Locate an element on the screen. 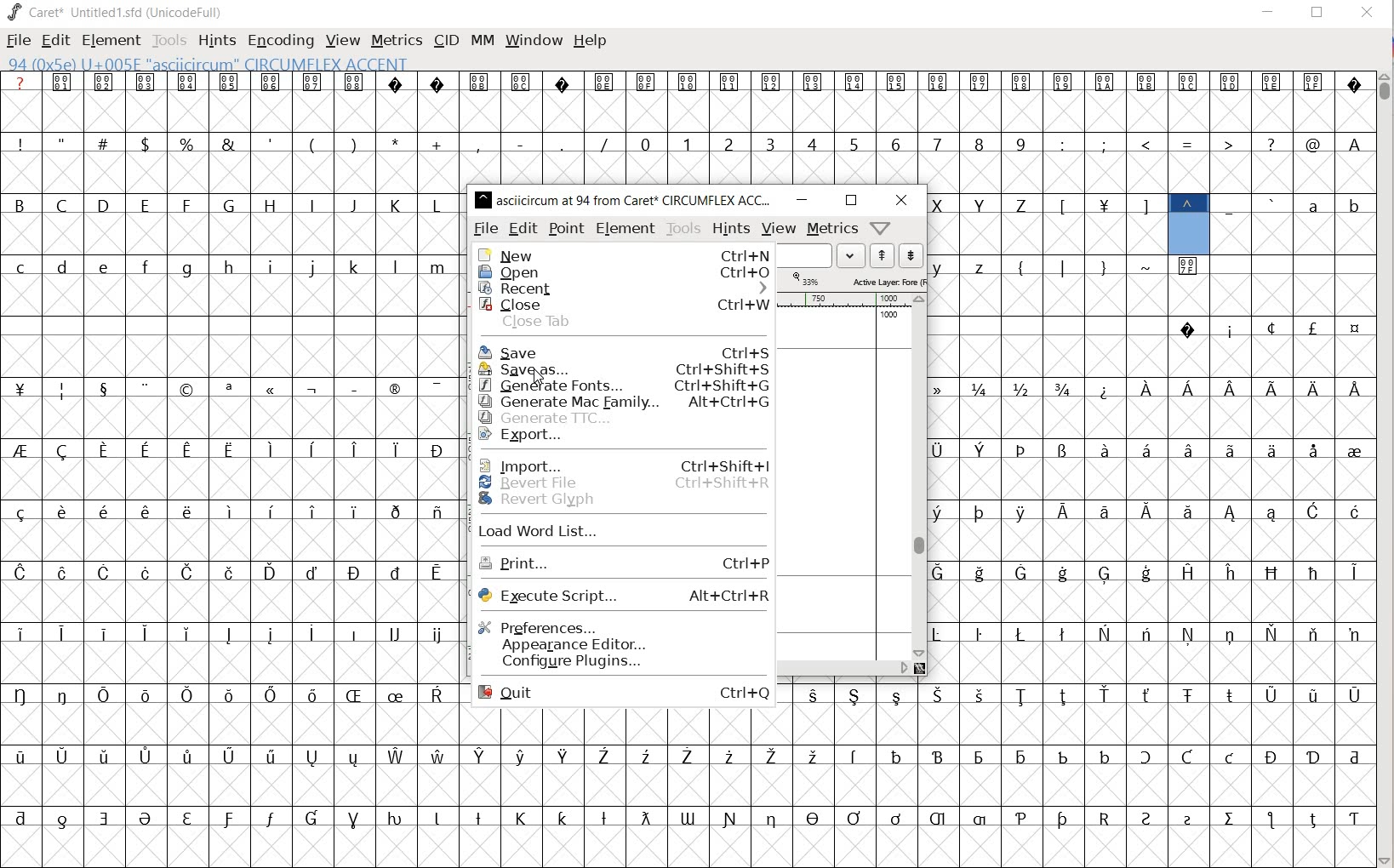  close tab is located at coordinates (623, 323).